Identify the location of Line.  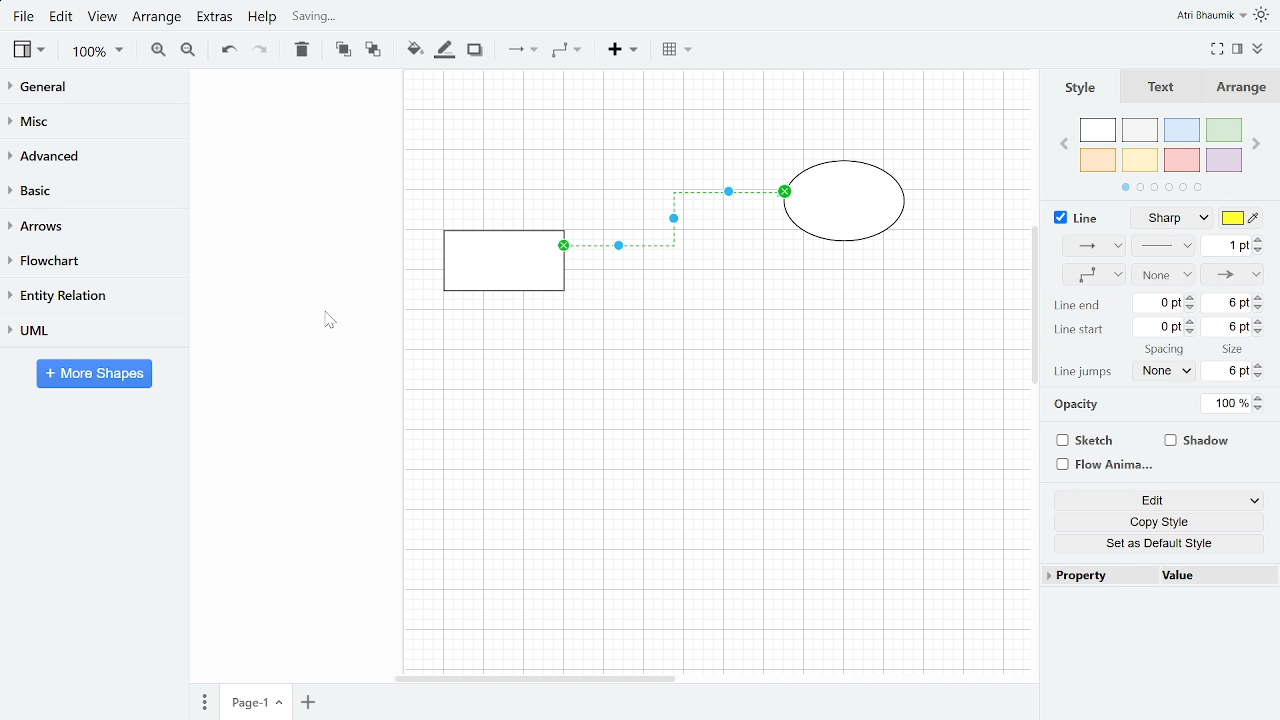
(1074, 217).